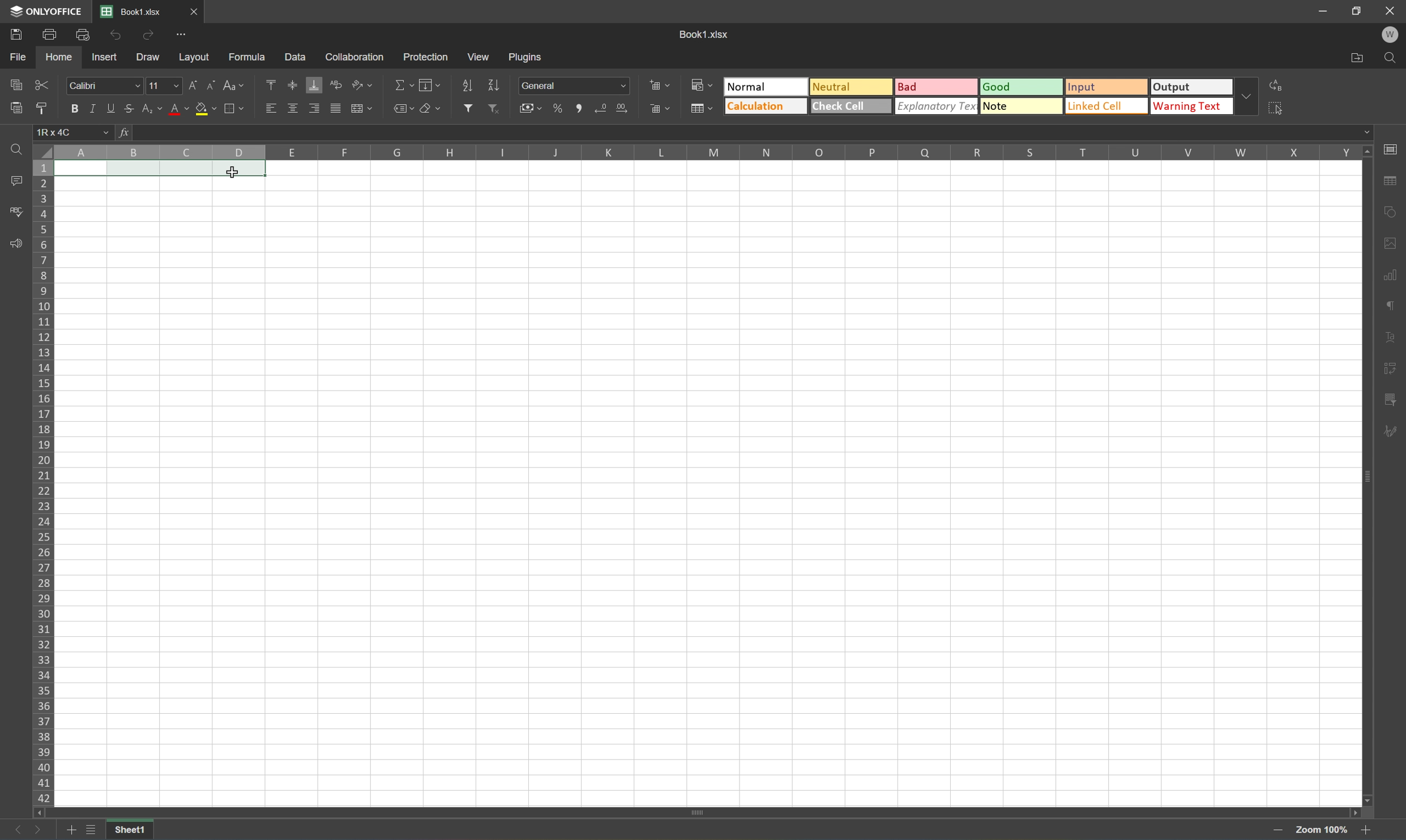  I want to click on Align bottom, so click(314, 84).